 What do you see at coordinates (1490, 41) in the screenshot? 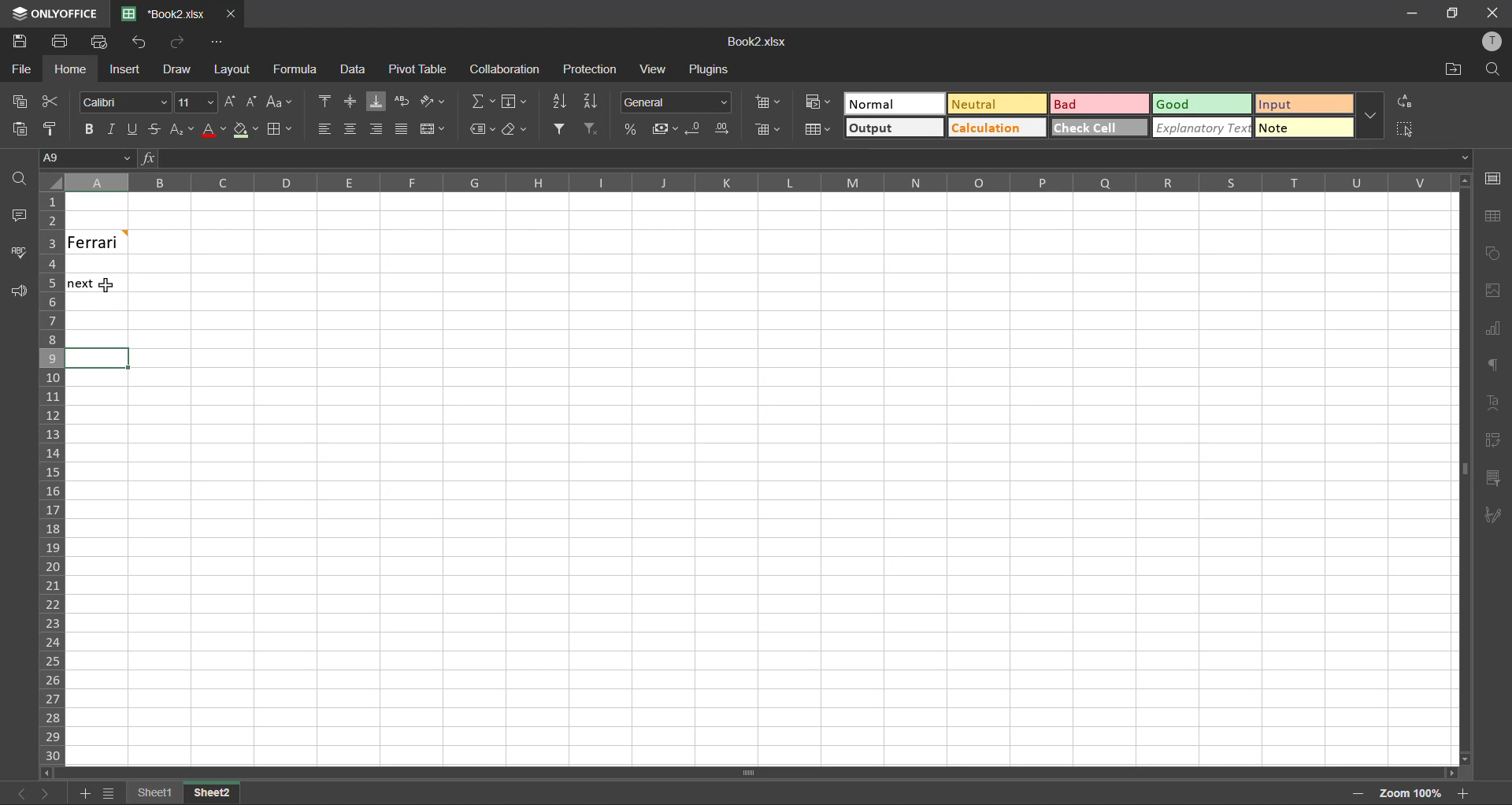
I see `profile` at bounding box center [1490, 41].